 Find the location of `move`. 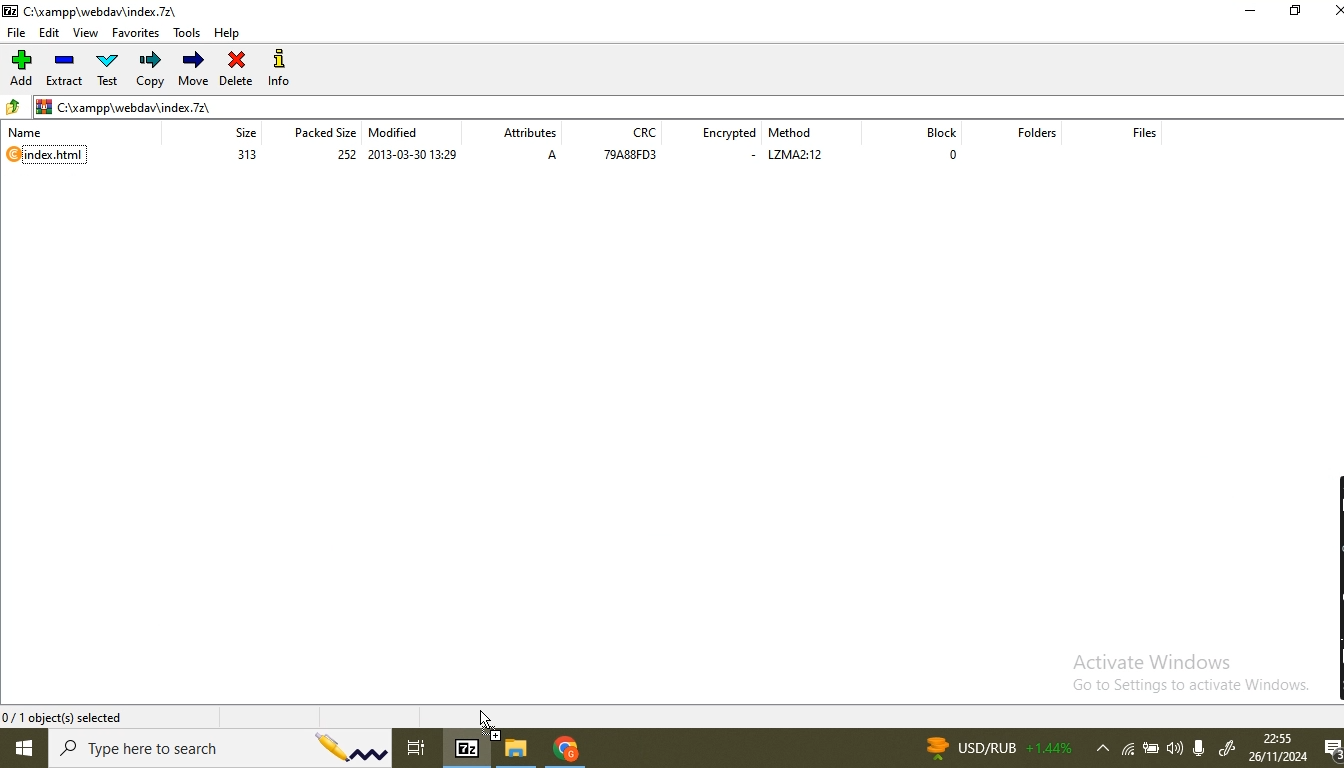

move is located at coordinates (194, 68).